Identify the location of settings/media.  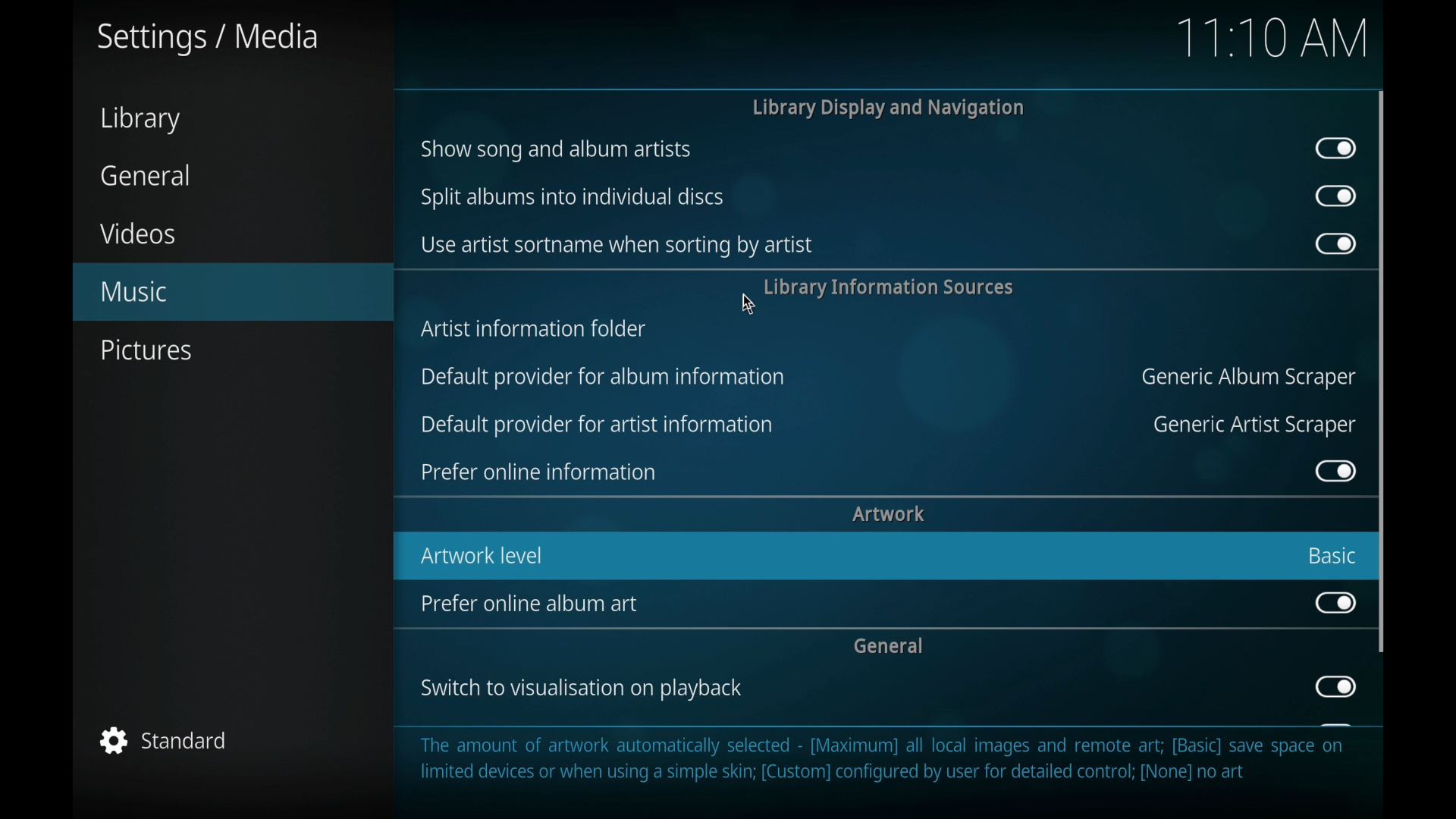
(208, 38).